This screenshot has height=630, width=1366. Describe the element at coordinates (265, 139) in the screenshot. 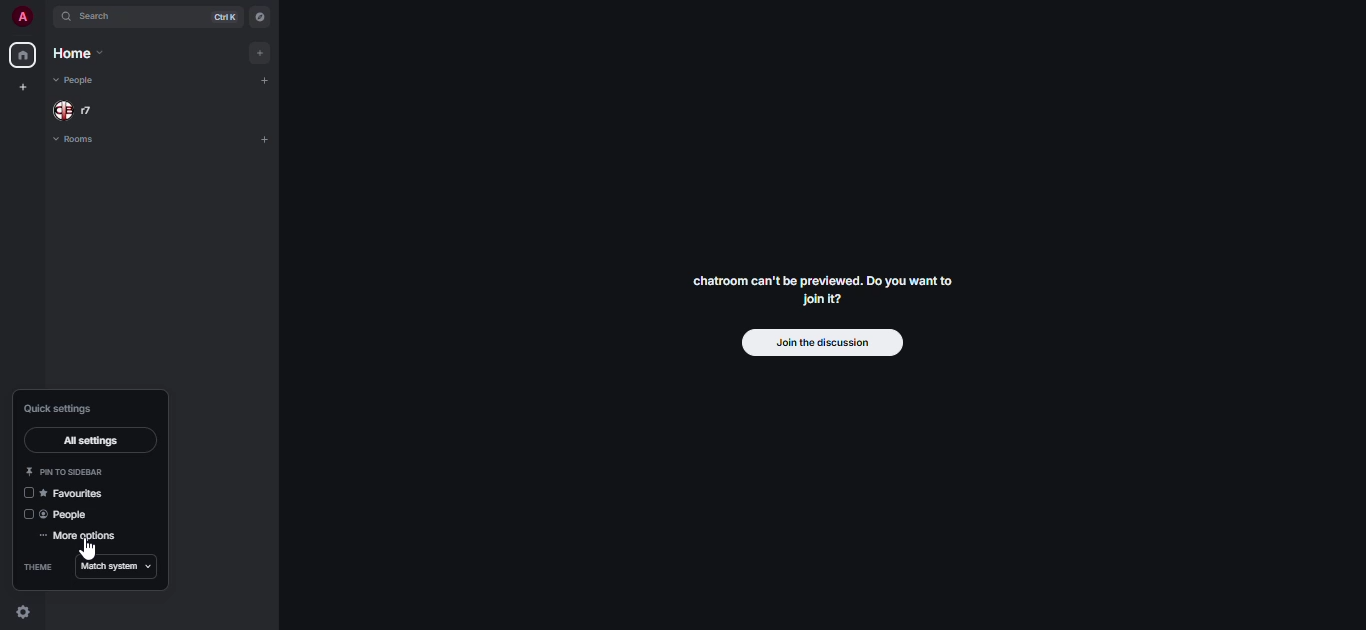

I see `add` at that location.